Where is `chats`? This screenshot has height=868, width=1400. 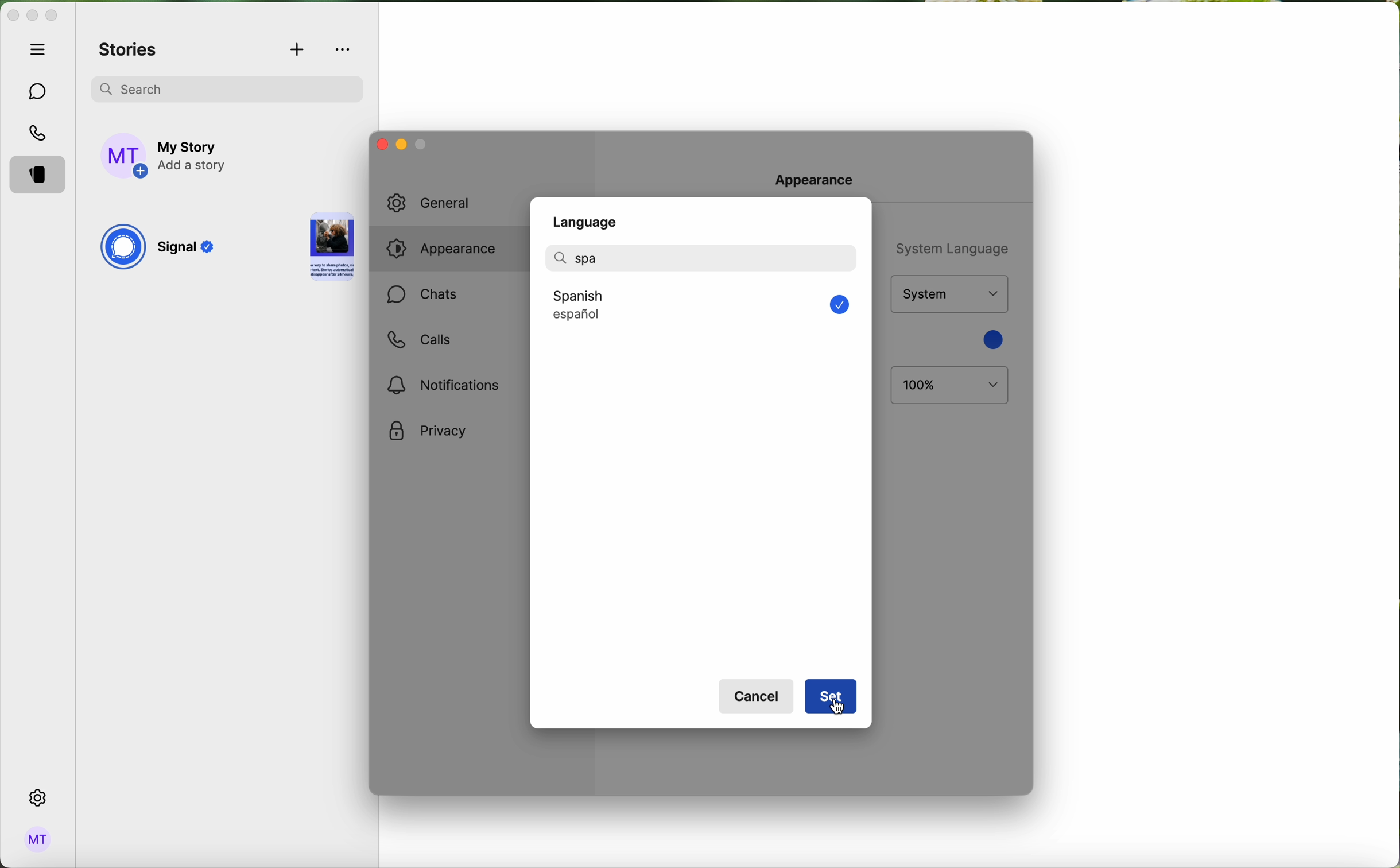
chats is located at coordinates (422, 296).